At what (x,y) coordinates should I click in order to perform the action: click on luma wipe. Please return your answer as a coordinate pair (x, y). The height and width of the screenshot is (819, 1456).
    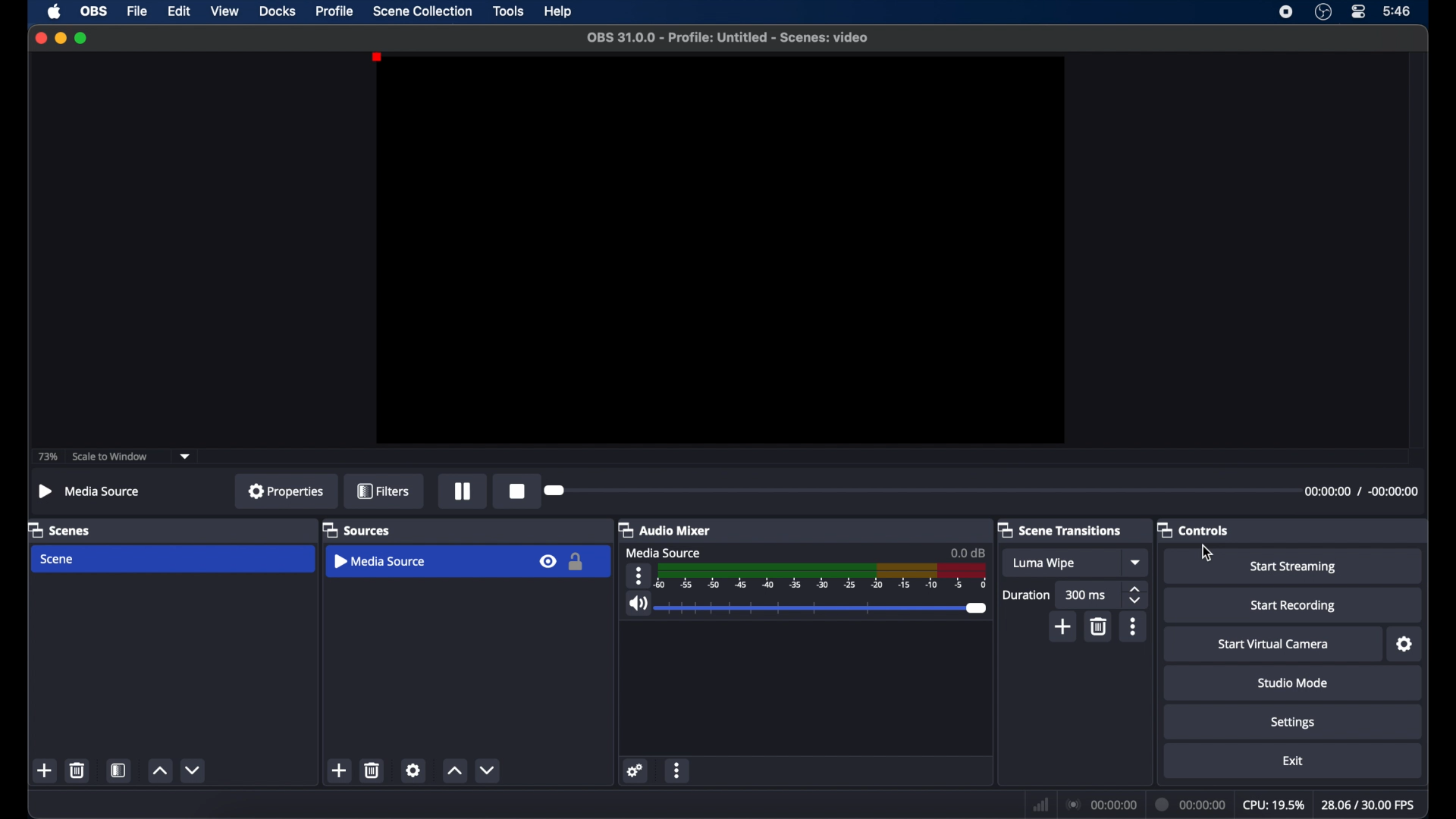
    Looking at the image, I should click on (1043, 563).